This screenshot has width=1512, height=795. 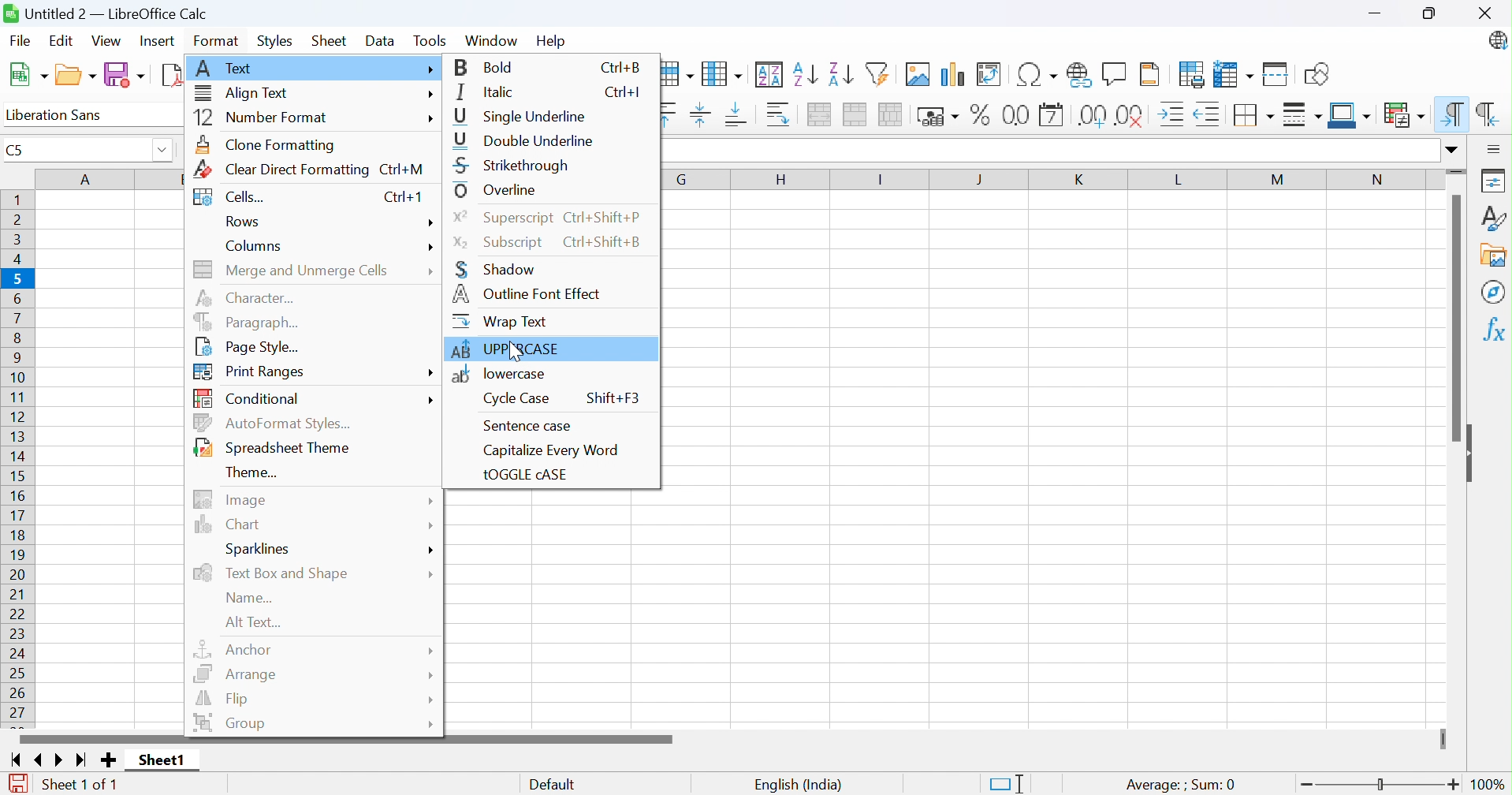 I want to click on Functions, so click(x=1495, y=327).